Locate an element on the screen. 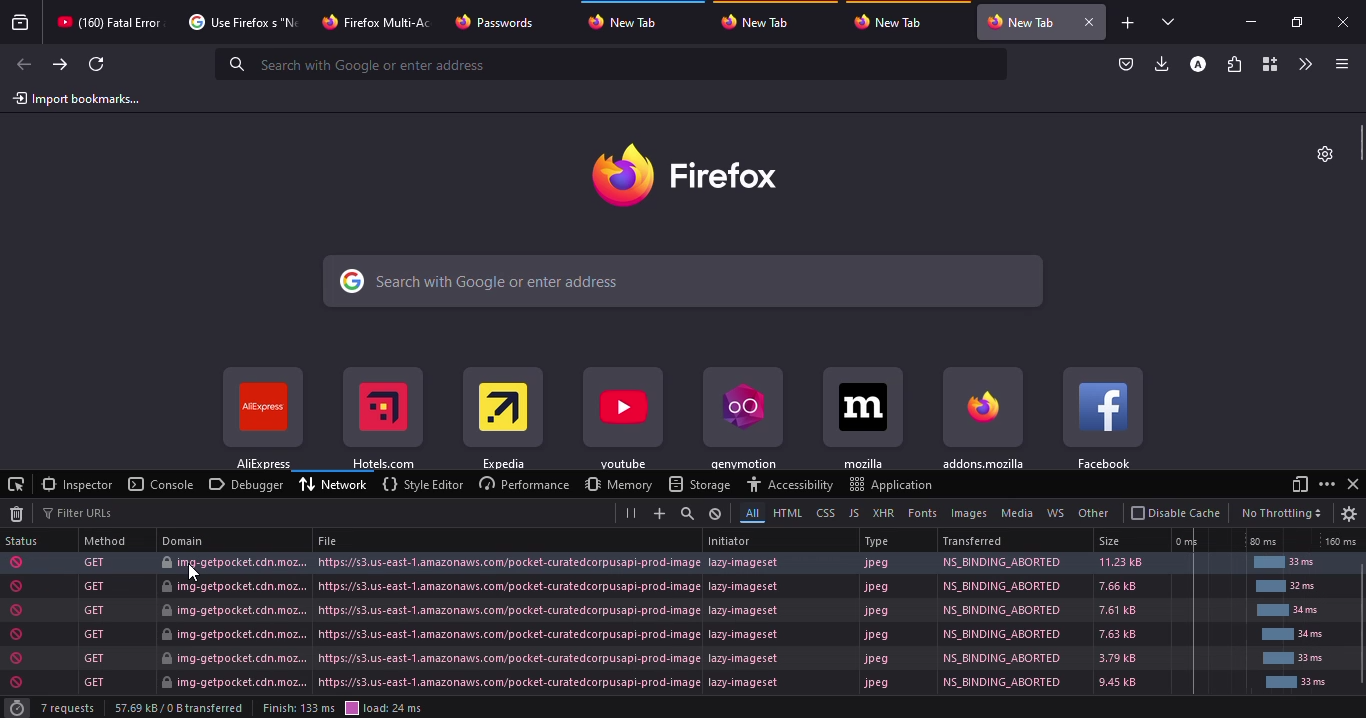 This screenshot has width=1366, height=718. other is located at coordinates (1092, 513).